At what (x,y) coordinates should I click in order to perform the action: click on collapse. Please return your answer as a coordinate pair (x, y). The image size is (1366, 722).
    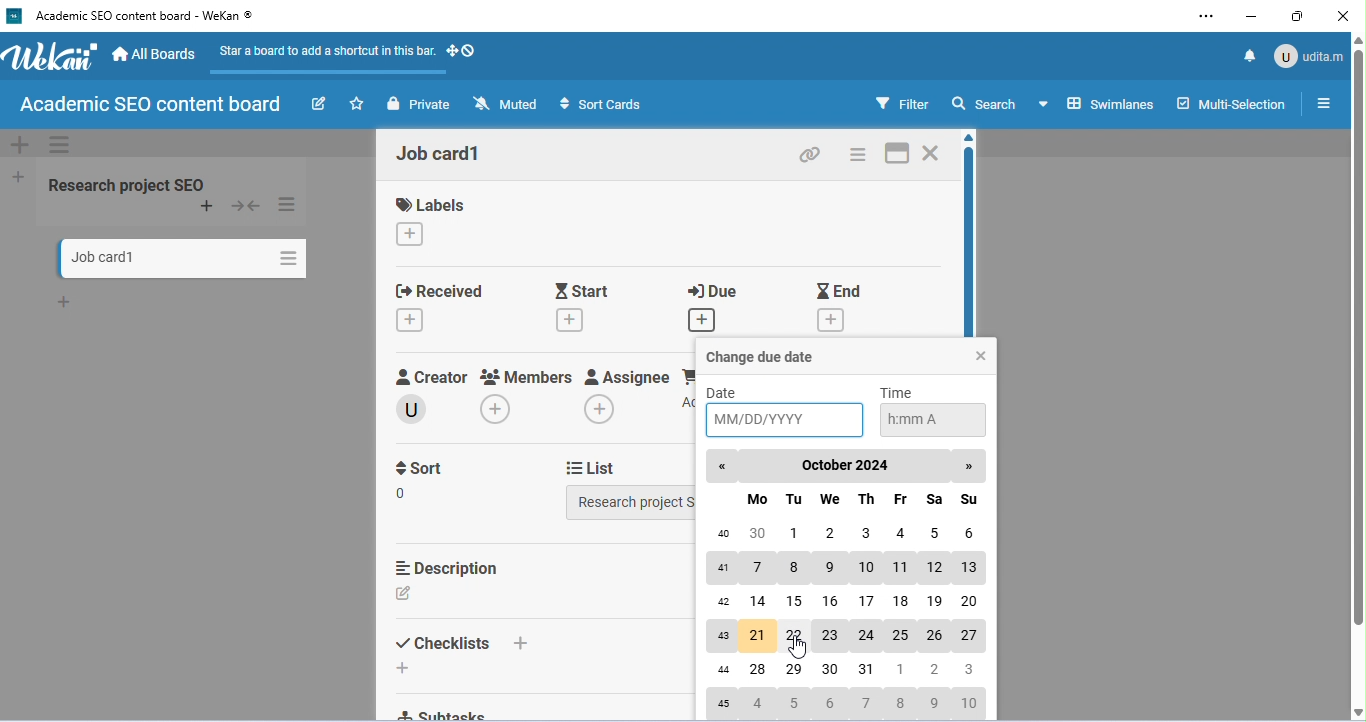
    Looking at the image, I should click on (245, 207).